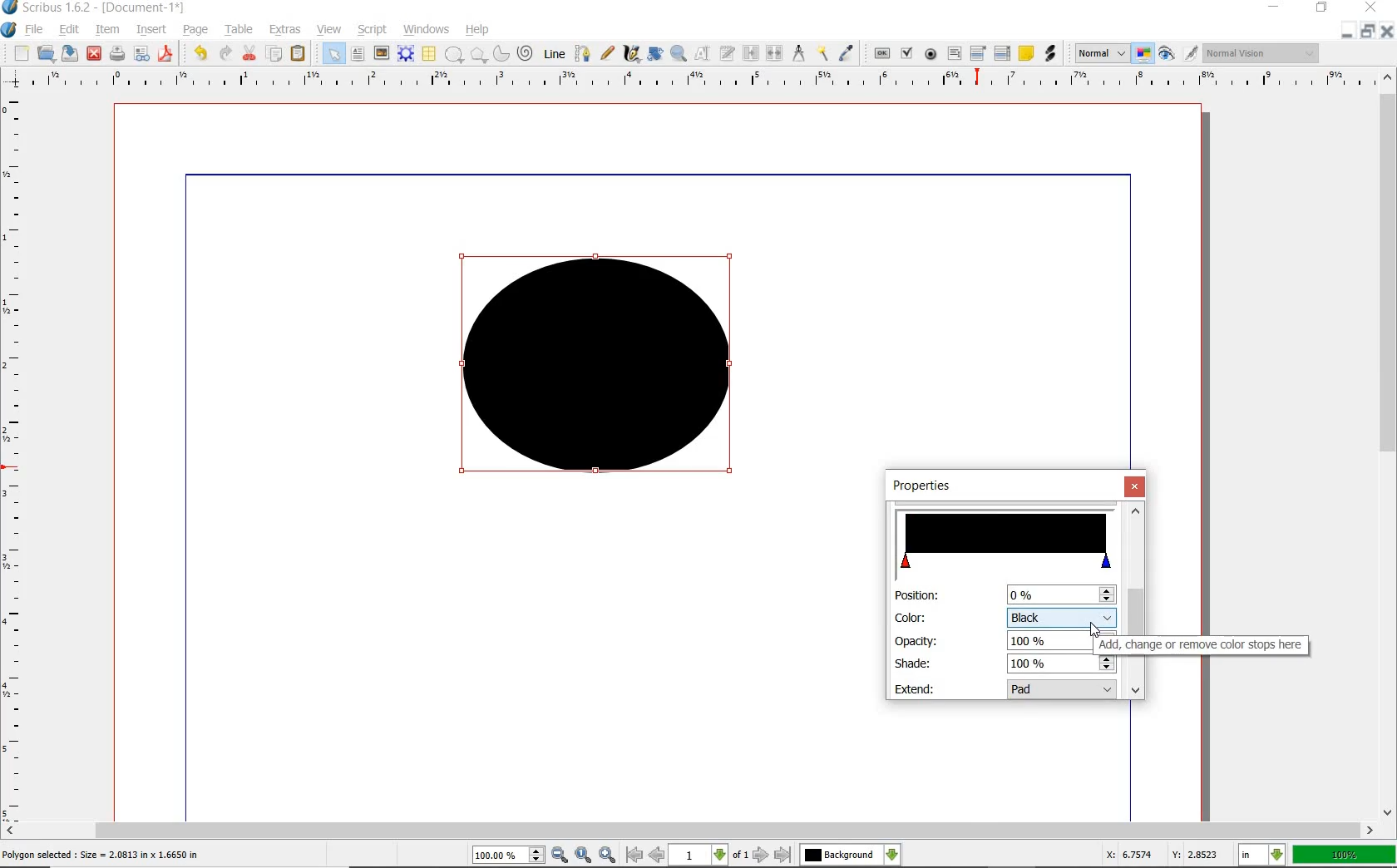 The width and height of the screenshot is (1397, 868). What do you see at coordinates (1054, 664) in the screenshot?
I see `shade` at bounding box center [1054, 664].